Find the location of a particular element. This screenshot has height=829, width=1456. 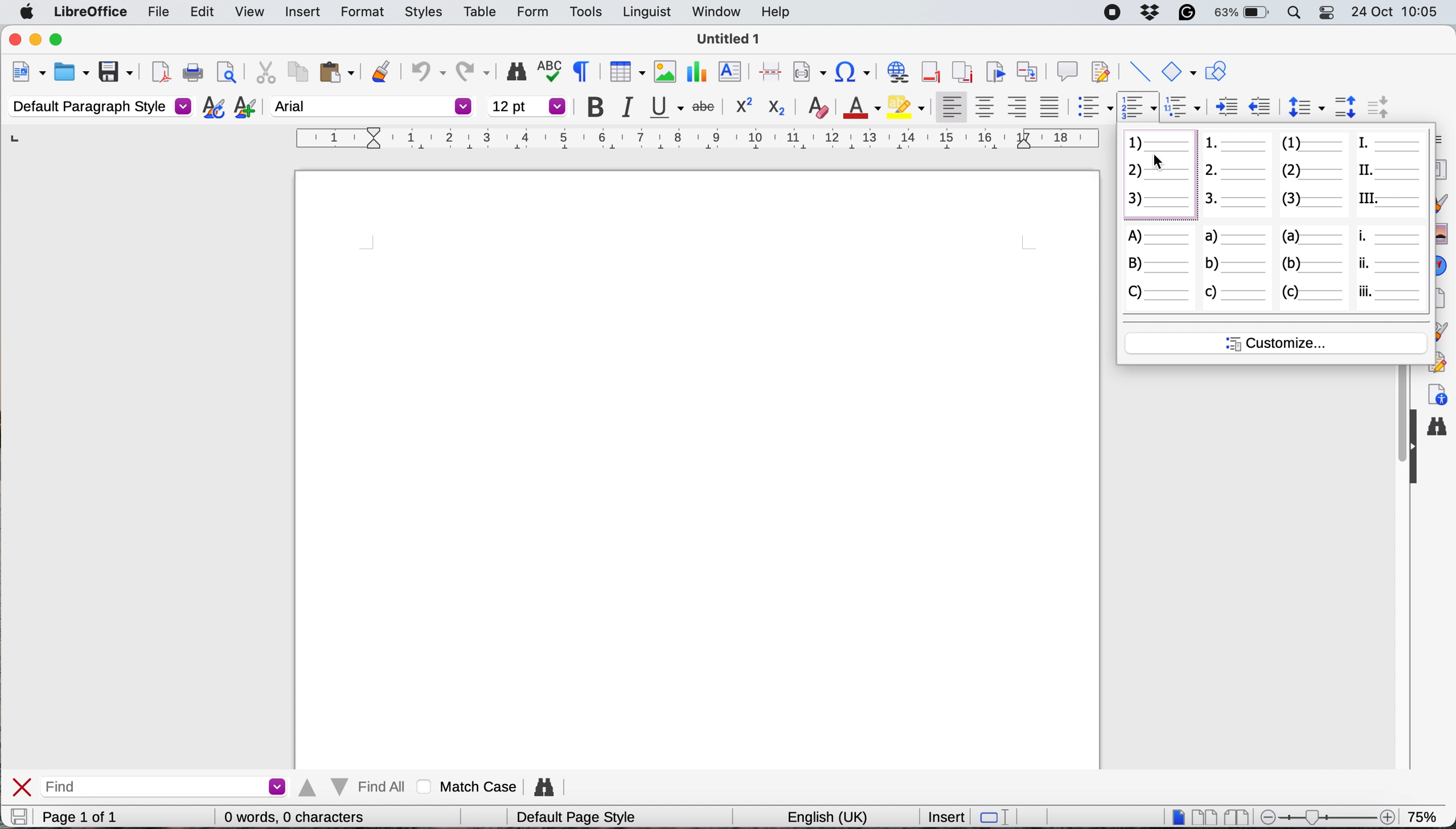

lowercase alphabet is located at coordinates (1236, 268).